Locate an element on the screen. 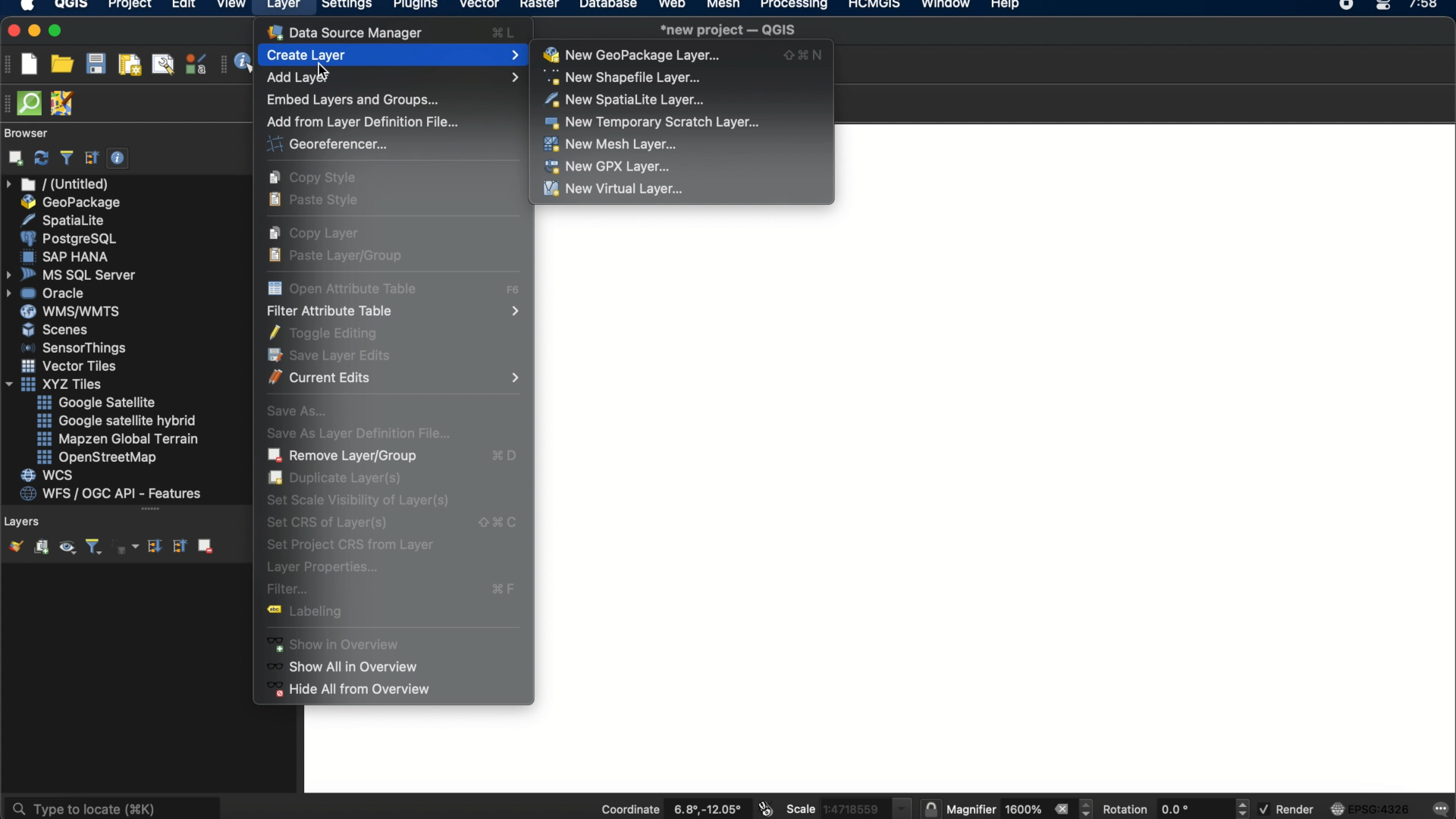  mesh is located at coordinates (723, 6).